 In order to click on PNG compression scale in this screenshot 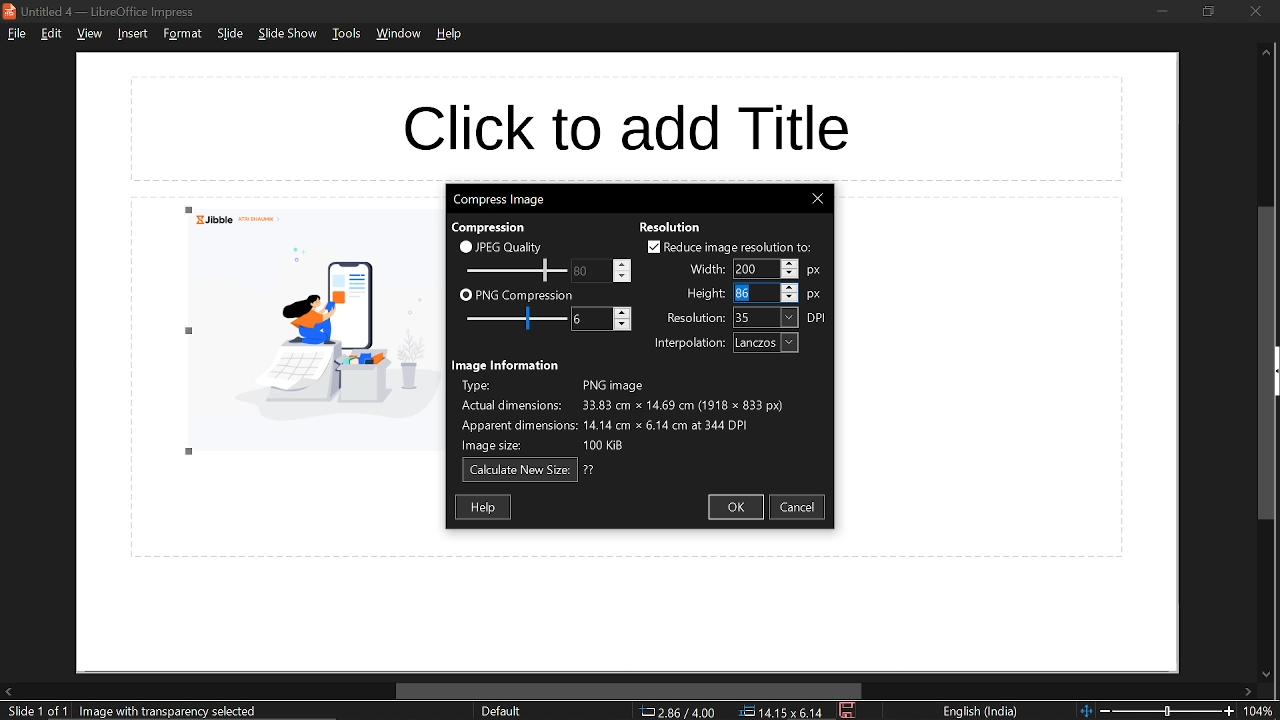, I will do `click(589, 271)`.